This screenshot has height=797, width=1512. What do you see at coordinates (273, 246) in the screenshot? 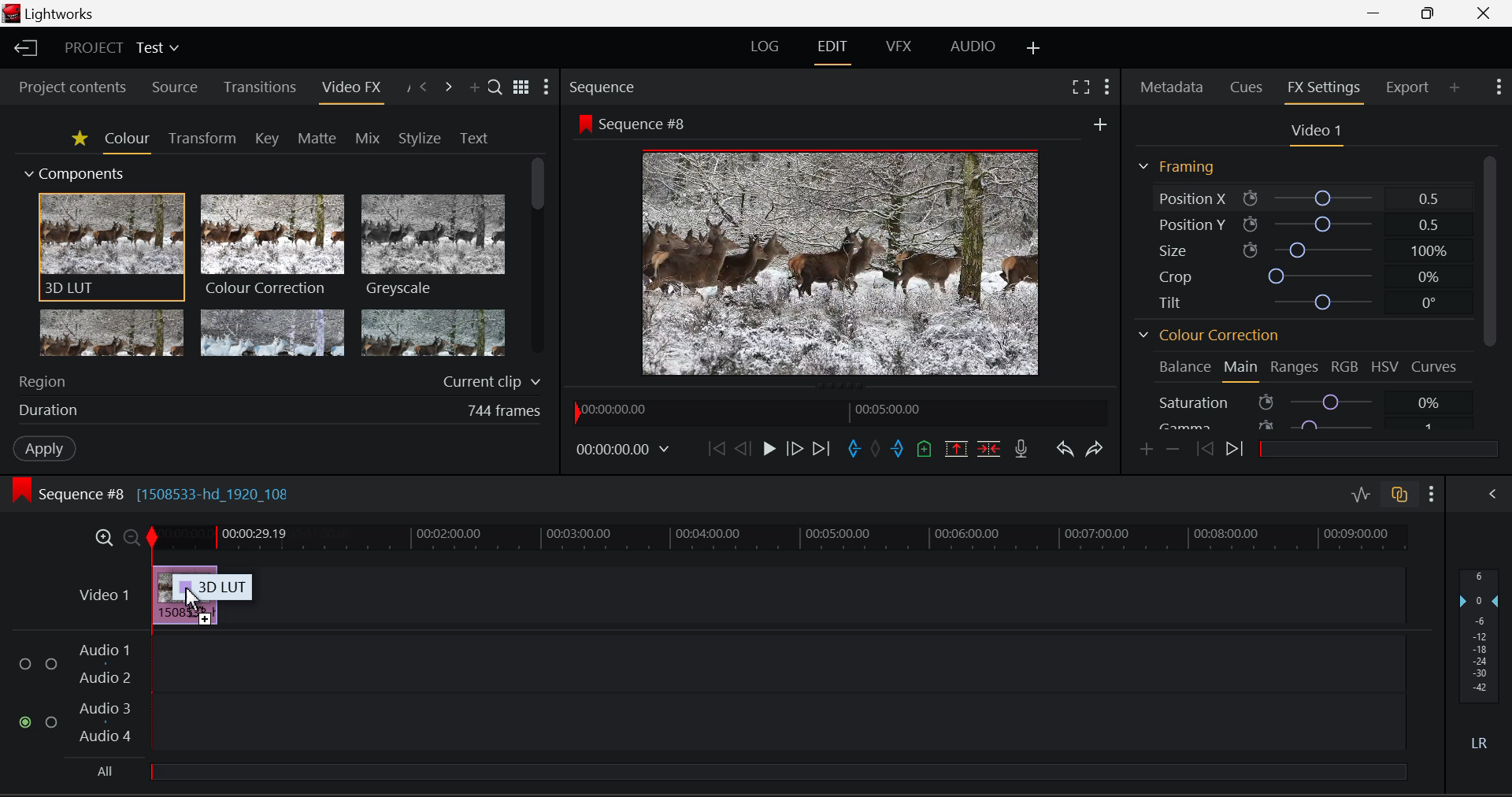
I see `Colour Correction` at bounding box center [273, 246].